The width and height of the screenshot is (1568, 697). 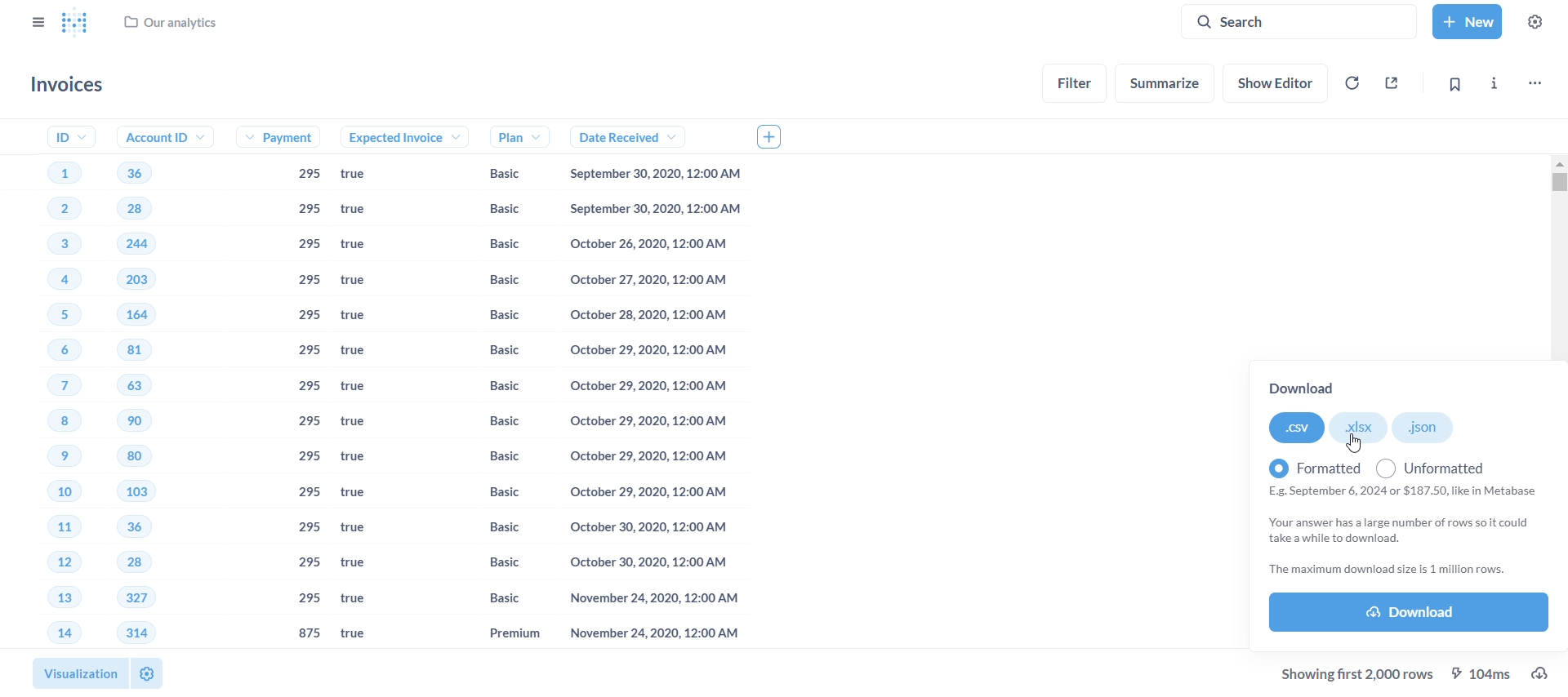 I want to click on bookmark, so click(x=1454, y=84).